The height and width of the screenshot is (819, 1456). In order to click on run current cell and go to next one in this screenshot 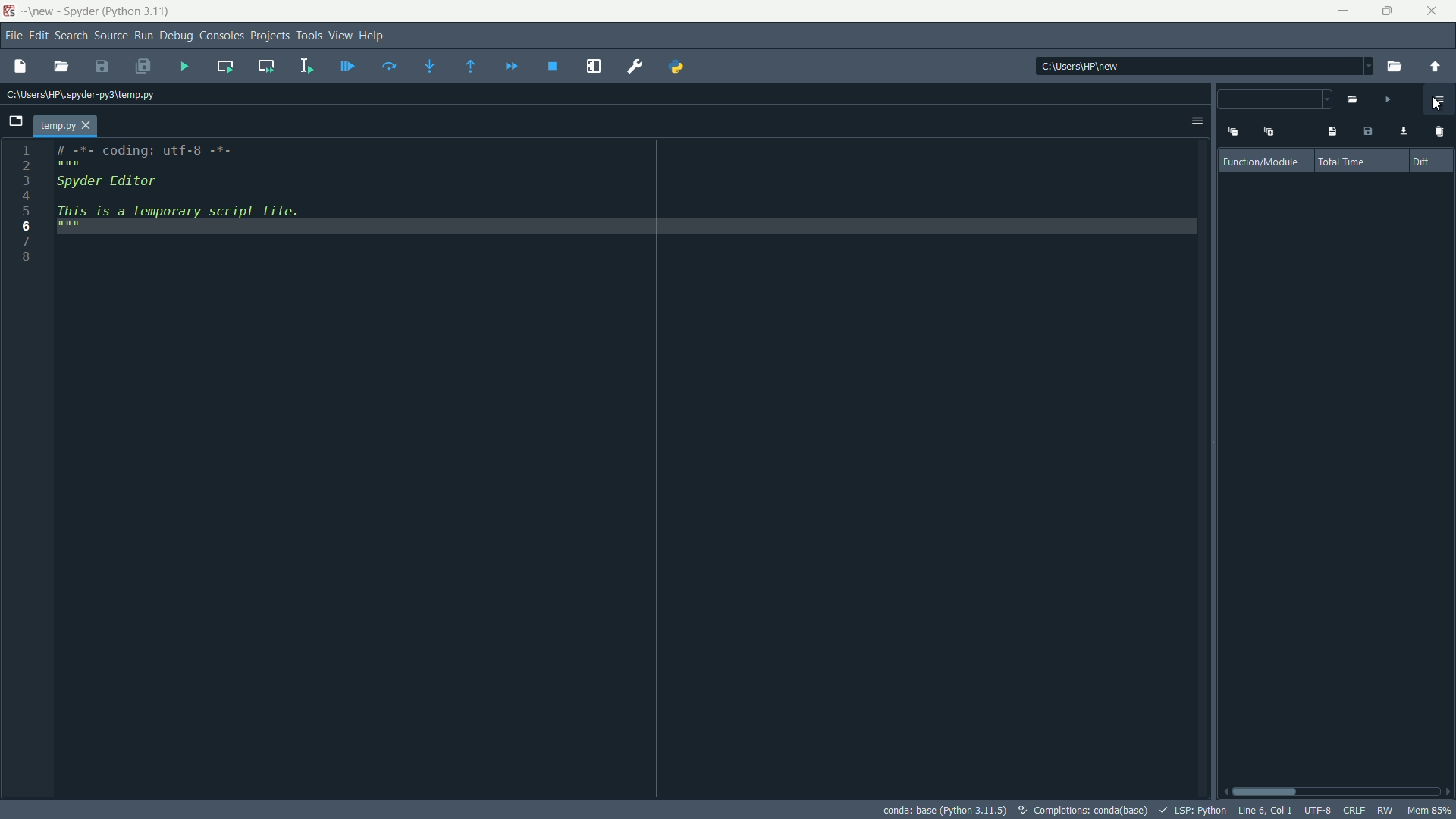, I will do `click(266, 67)`.